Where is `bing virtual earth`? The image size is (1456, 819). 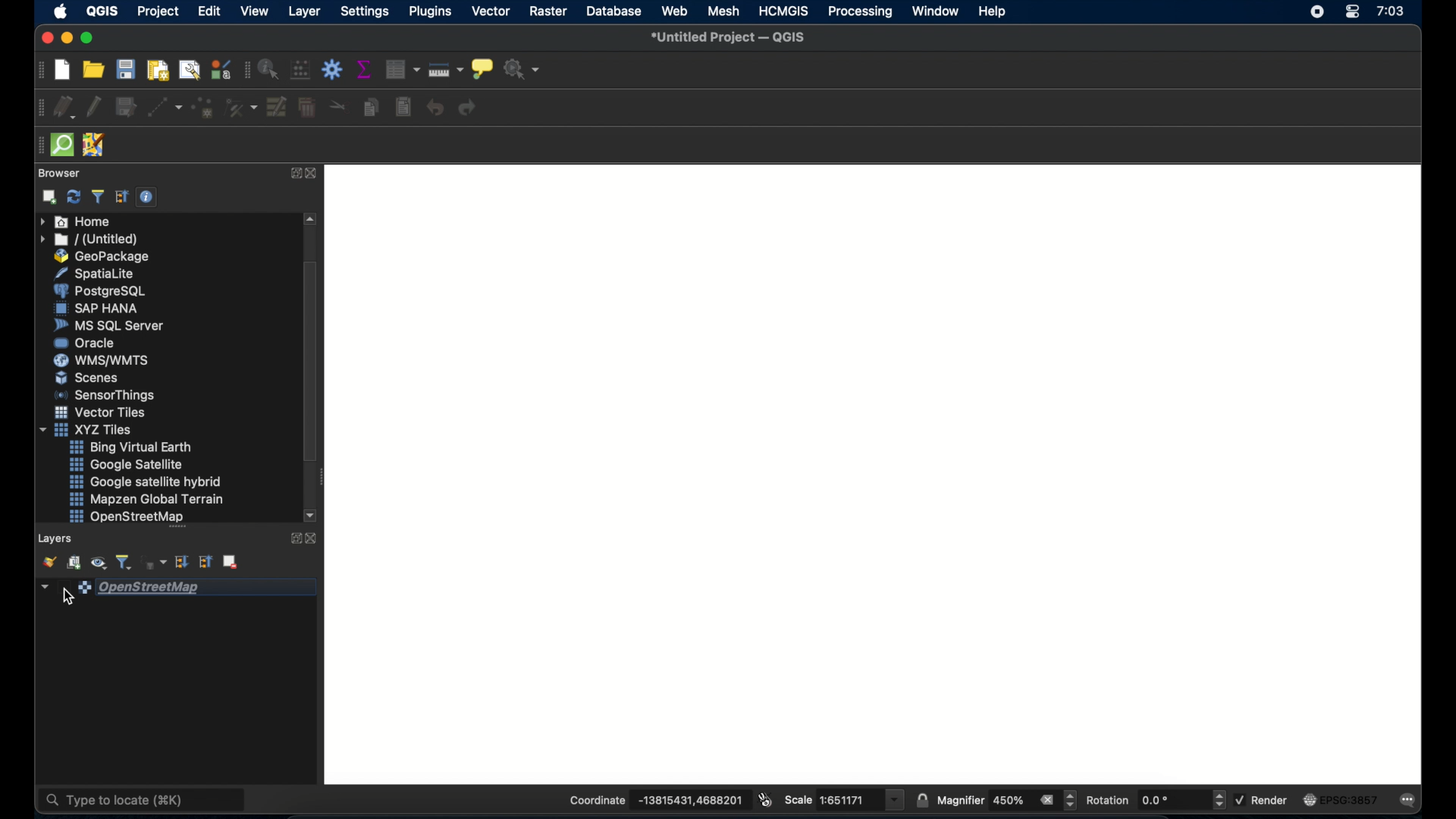
bing virtual earth is located at coordinates (134, 447).